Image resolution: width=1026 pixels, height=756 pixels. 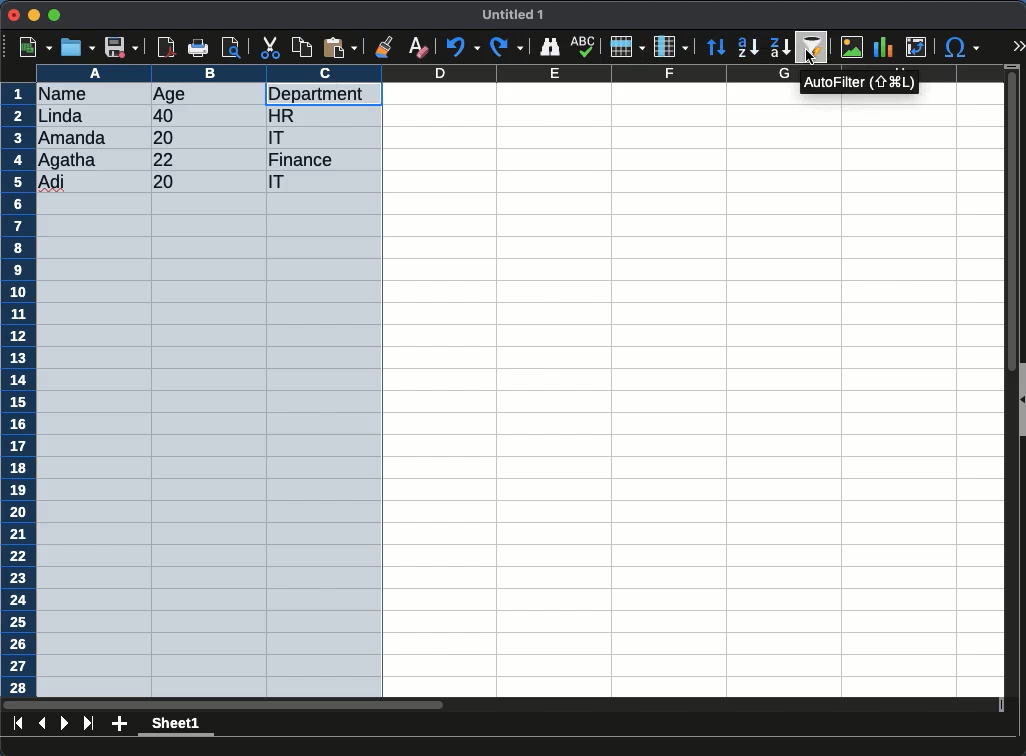 I want to click on descending, so click(x=779, y=46).